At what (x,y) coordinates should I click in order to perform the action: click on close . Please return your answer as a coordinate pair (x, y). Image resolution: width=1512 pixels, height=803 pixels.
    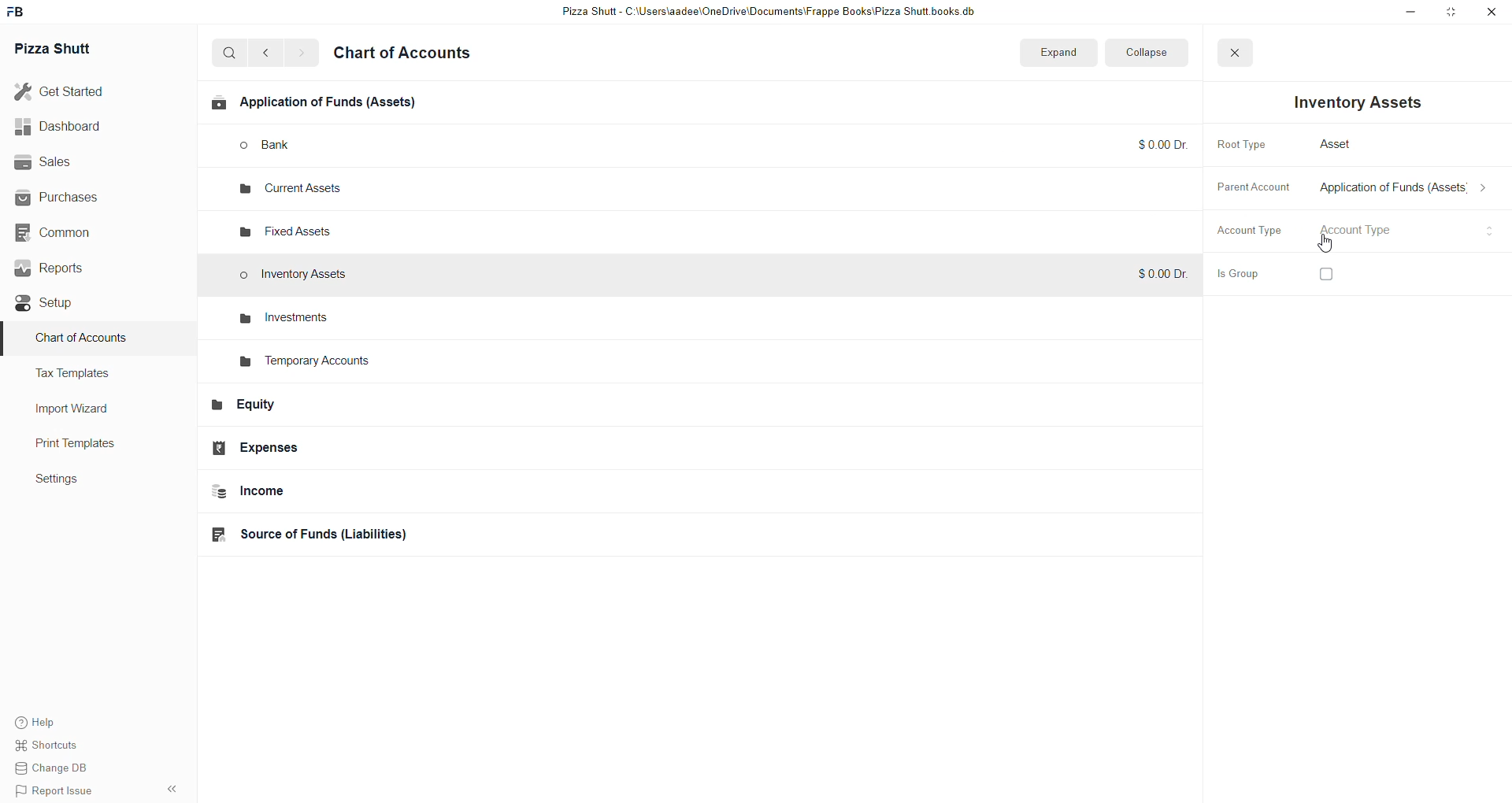
    Looking at the image, I should click on (1228, 53).